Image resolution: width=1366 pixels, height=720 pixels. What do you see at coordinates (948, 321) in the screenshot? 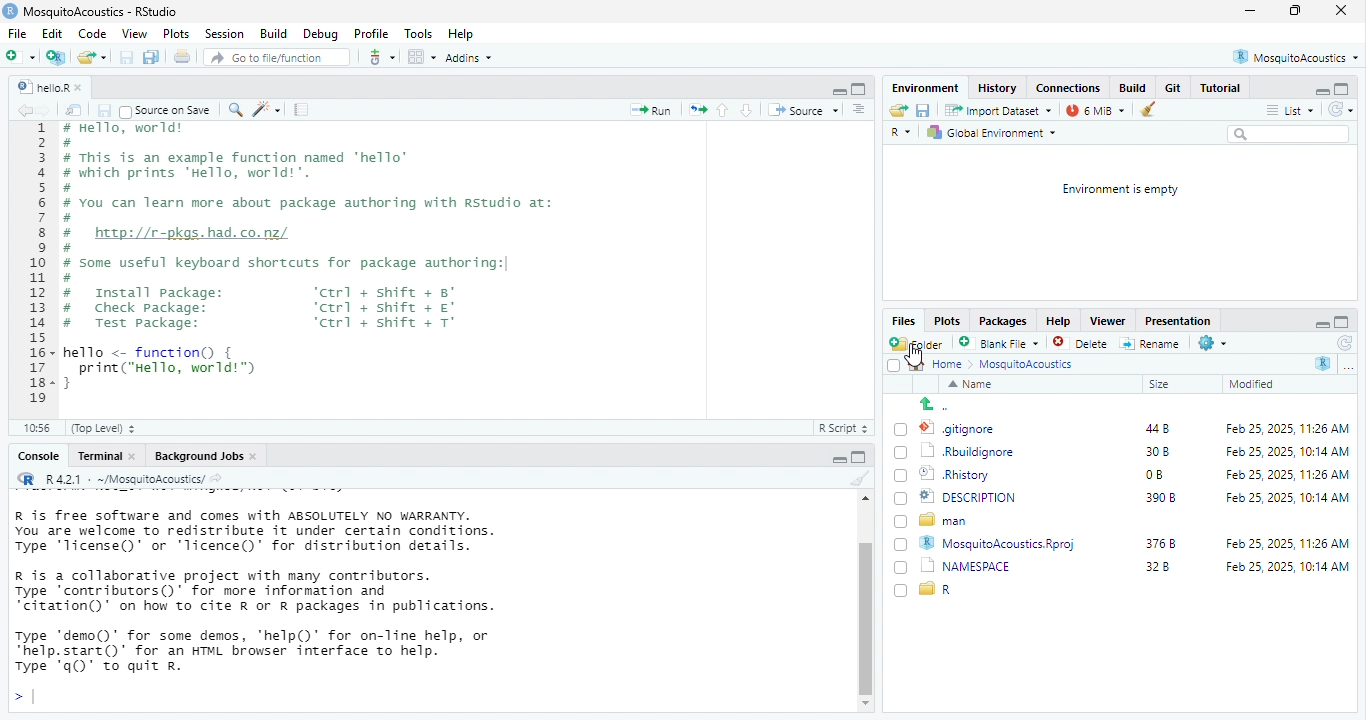
I see ` Plots` at bounding box center [948, 321].